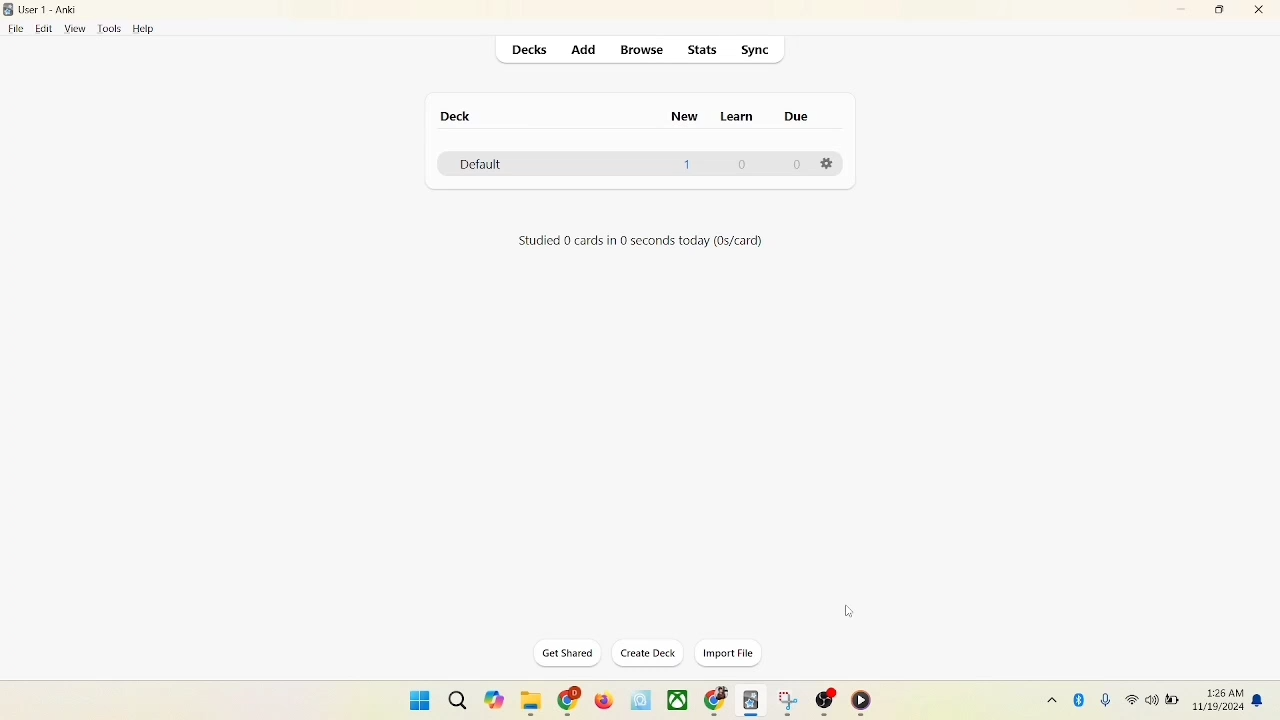 This screenshot has width=1280, height=720. What do you see at coordinates (685, 119) in the screenshot?
I see `new` at bounding box center [685, 119].